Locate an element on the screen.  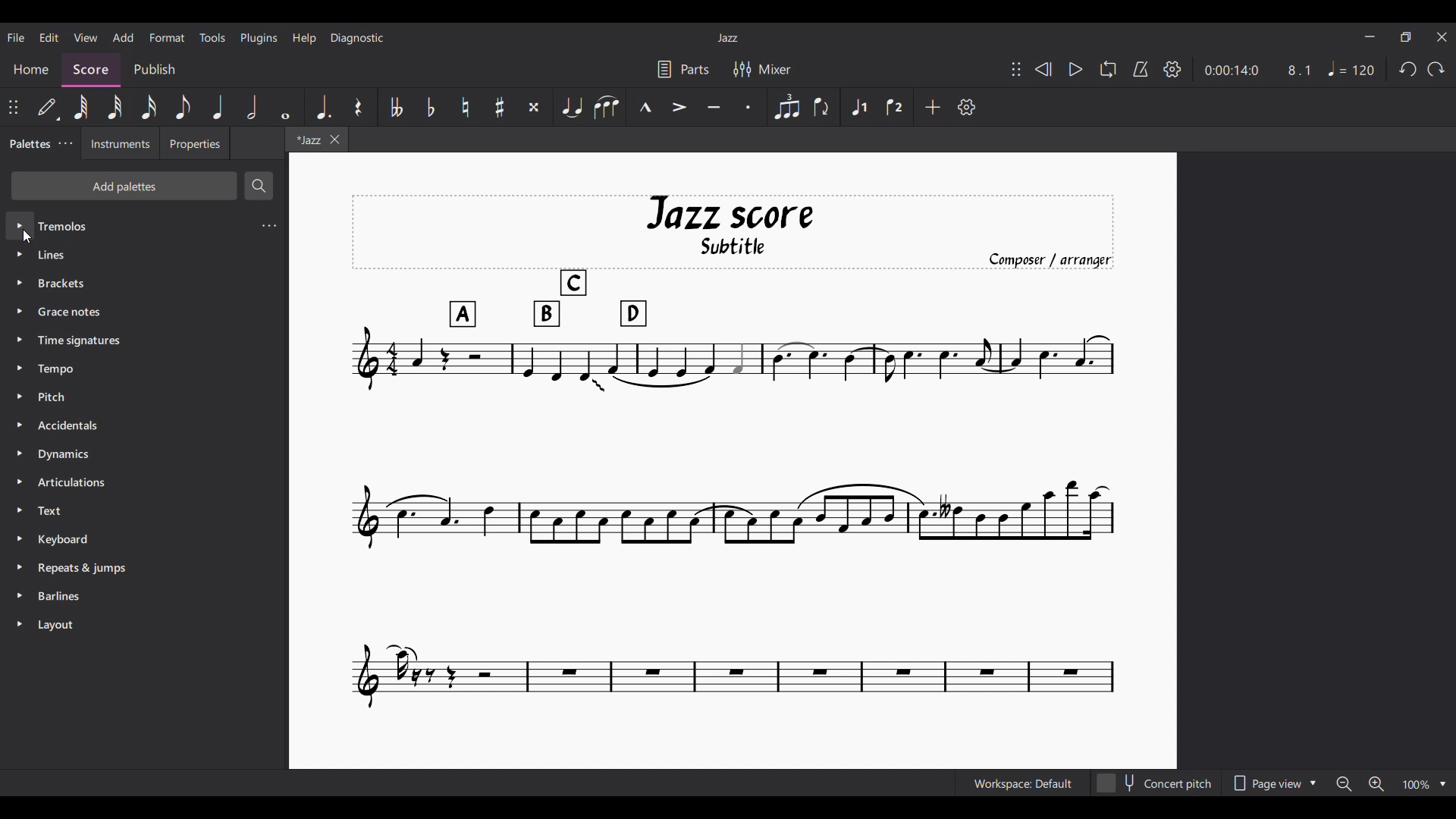
Change position is located at coordinates (13, 107).